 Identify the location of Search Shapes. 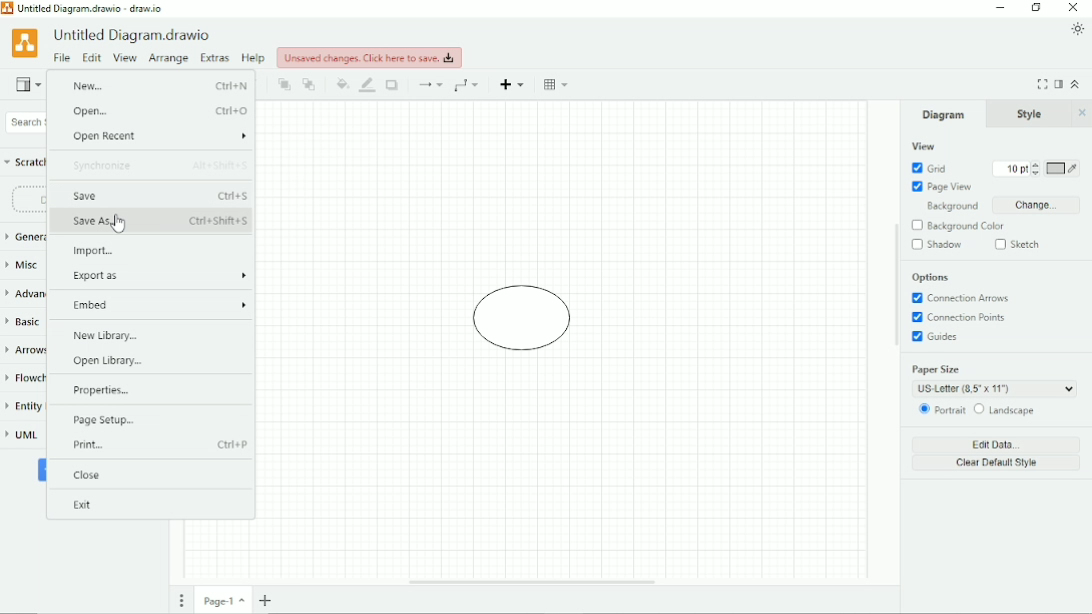
(22, 121).